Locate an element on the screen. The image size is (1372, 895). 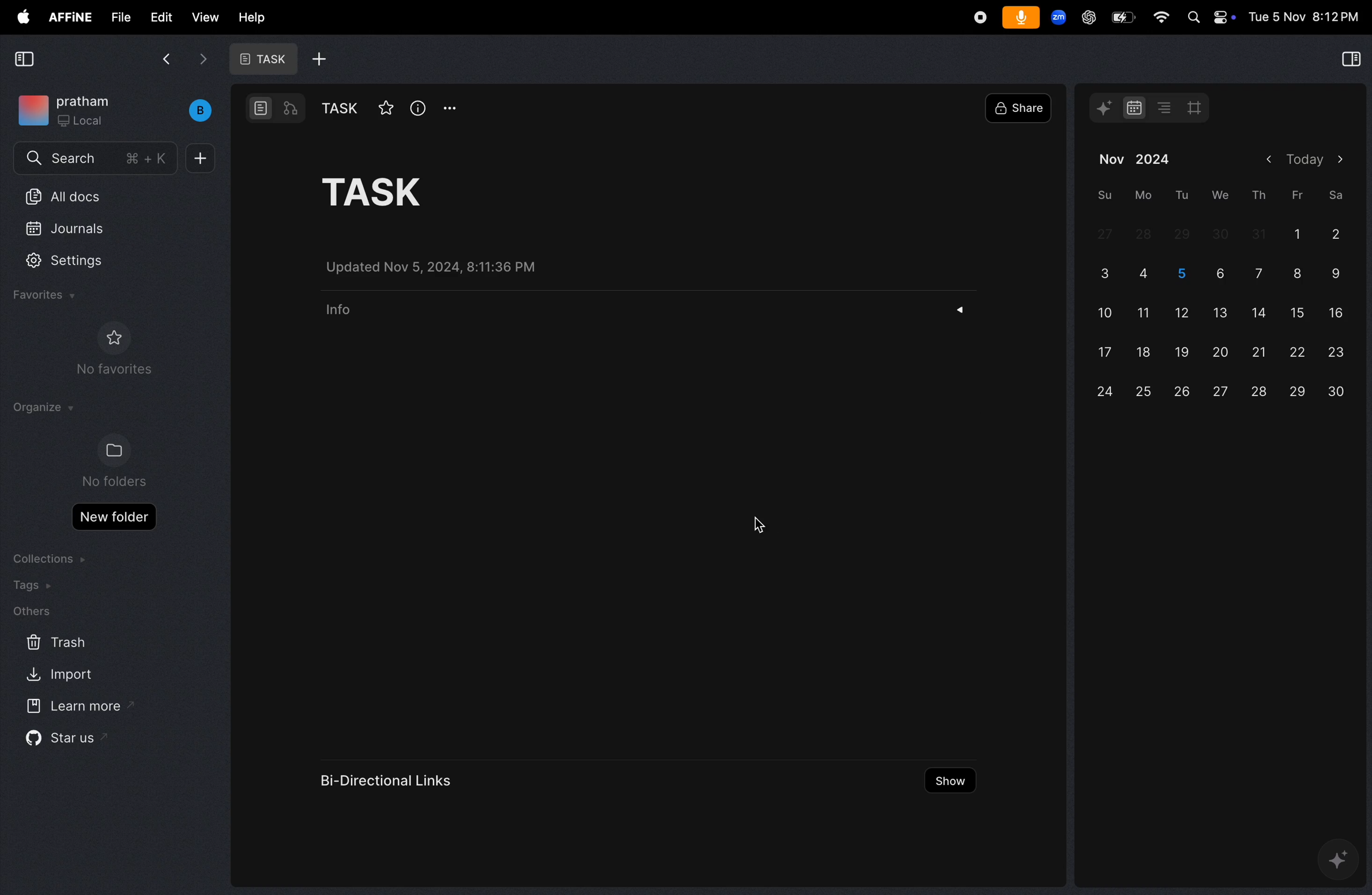
drop down is located at coordinates (965, 311).